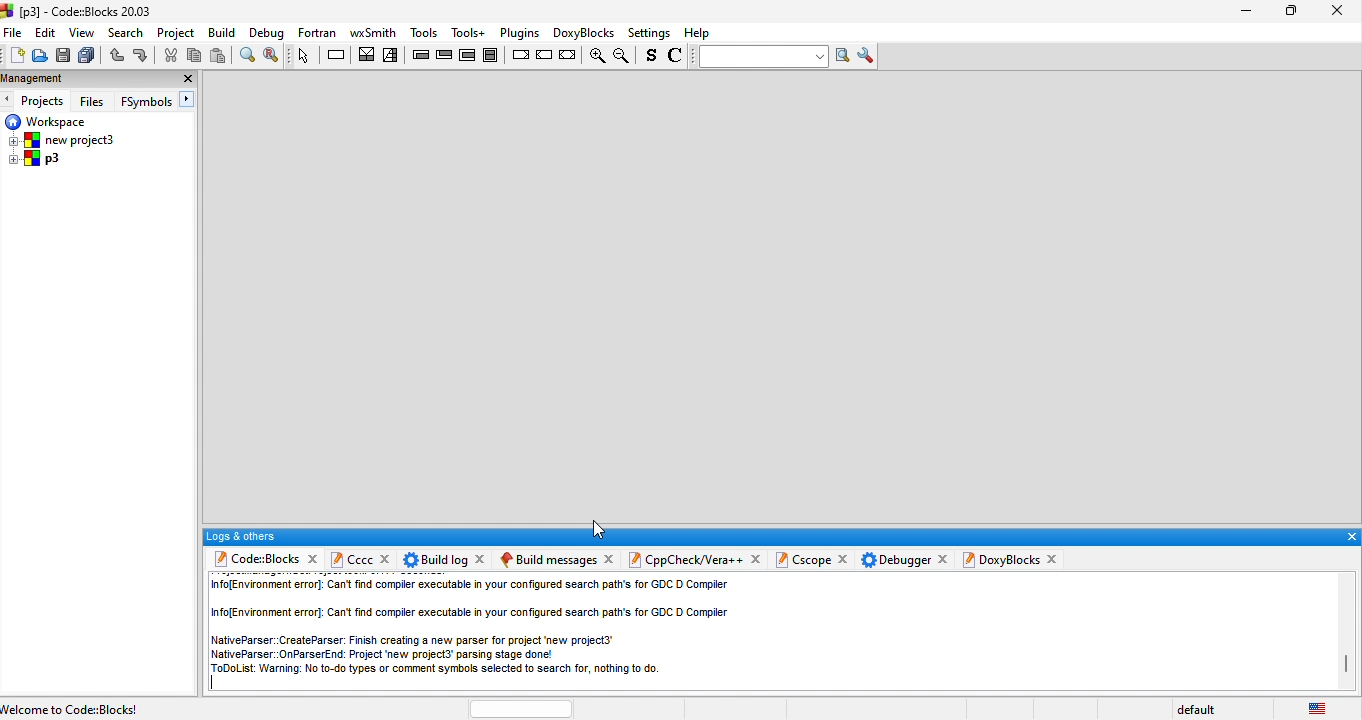  I want to click on doxyblocks, so click(581, 32).